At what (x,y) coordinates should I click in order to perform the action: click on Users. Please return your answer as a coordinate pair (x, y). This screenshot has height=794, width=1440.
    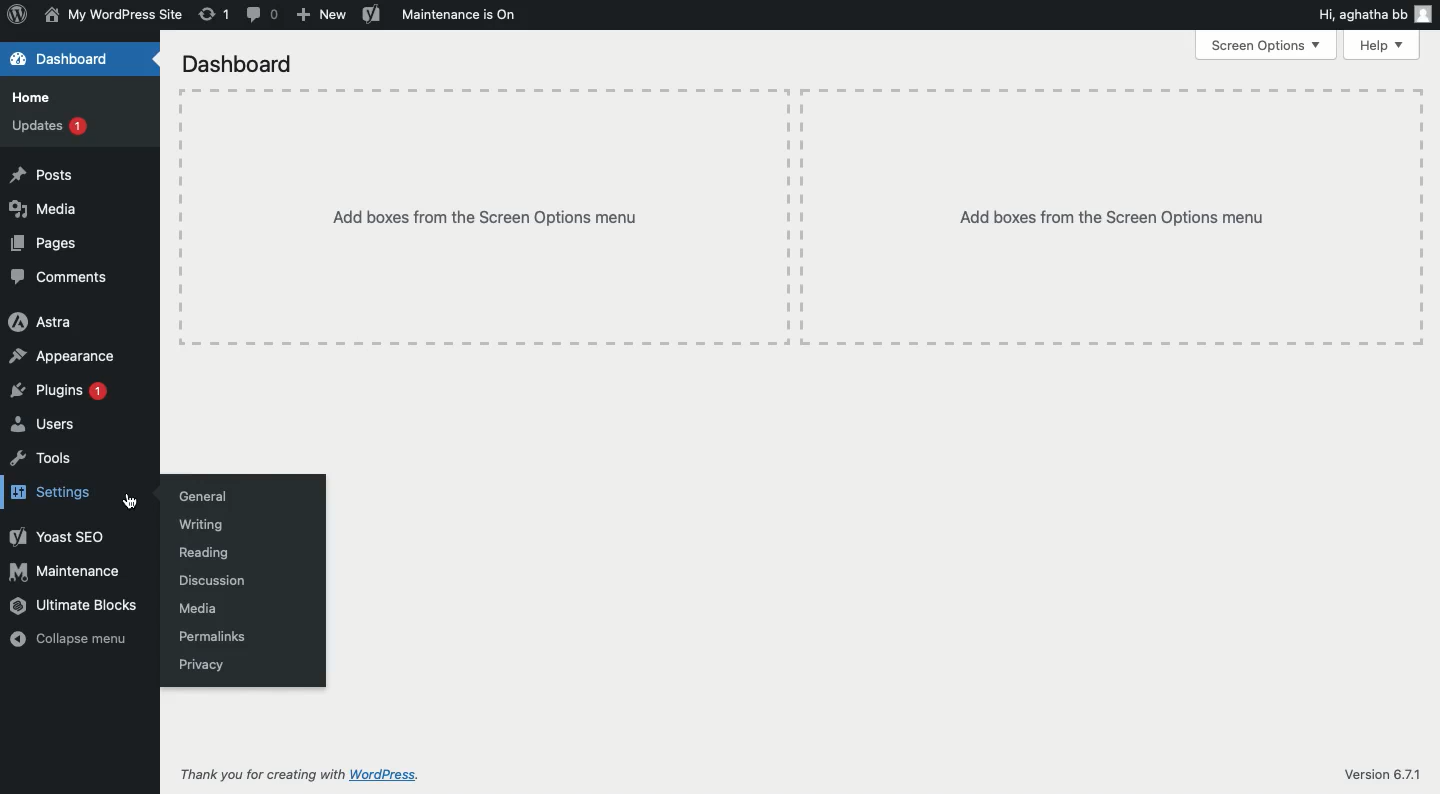
    Looking at the image, I should click on (46, 423).